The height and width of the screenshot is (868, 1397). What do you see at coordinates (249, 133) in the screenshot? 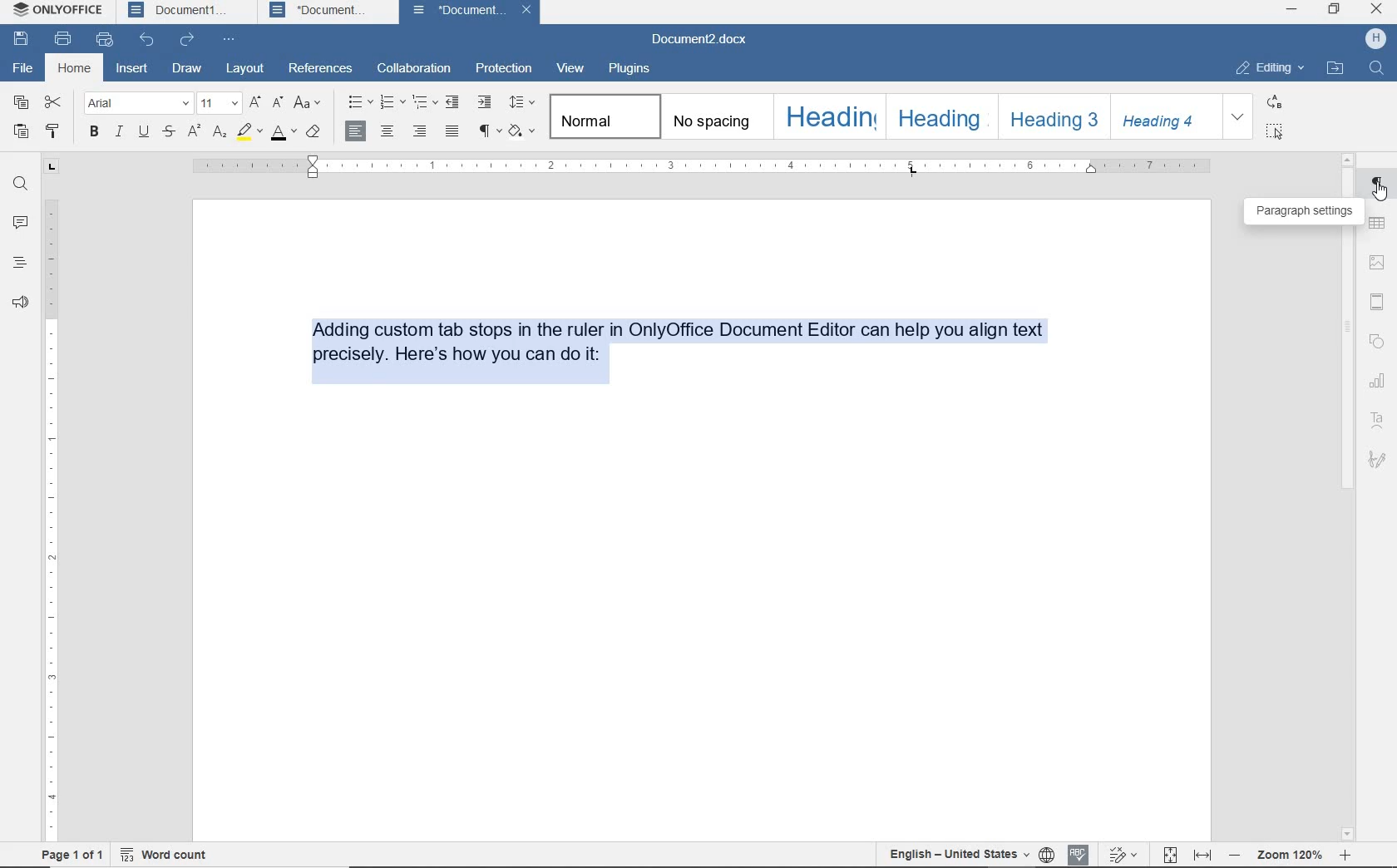
I see `highlight color` at bounding box center [249, 133].